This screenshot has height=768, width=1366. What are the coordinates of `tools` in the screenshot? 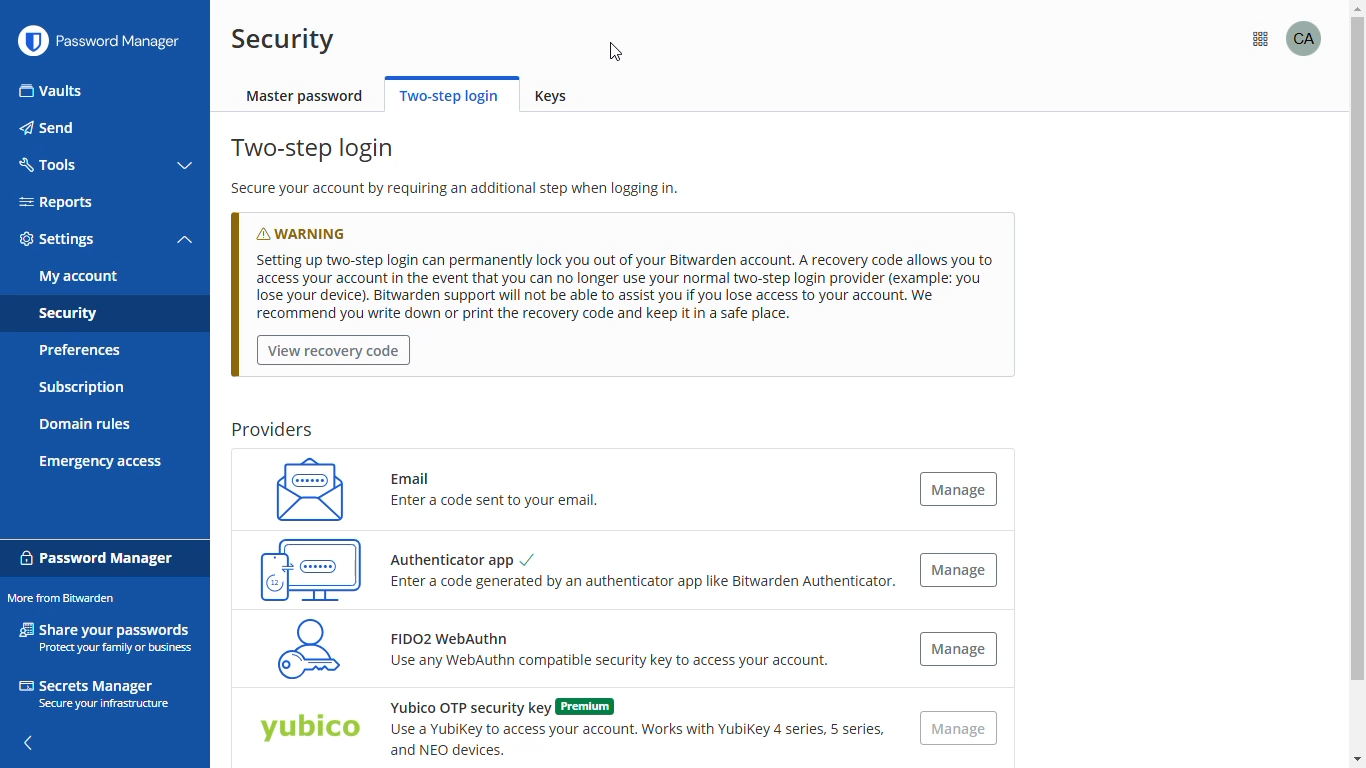 It's located at (46, 163).